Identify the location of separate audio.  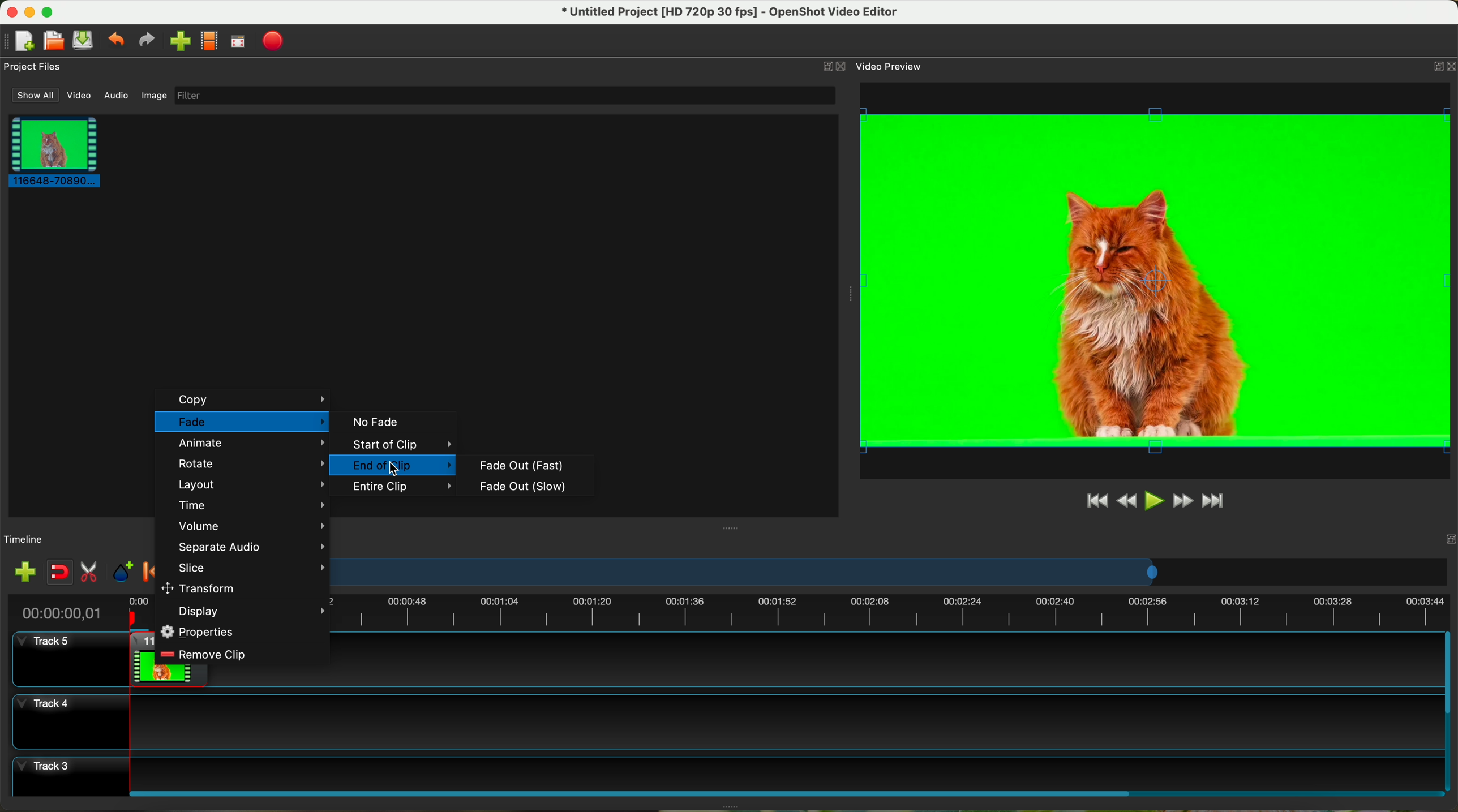
(250, 547).